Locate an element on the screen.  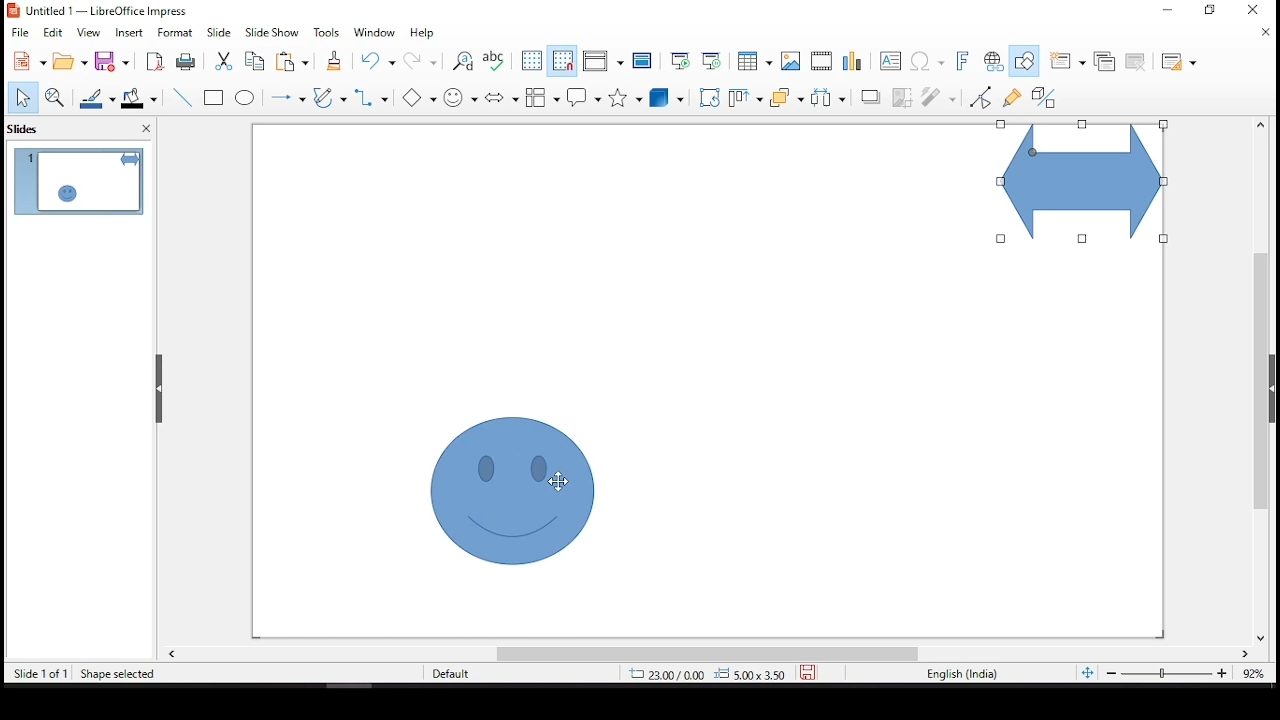
new slide is located at coordinates (1065, 61).